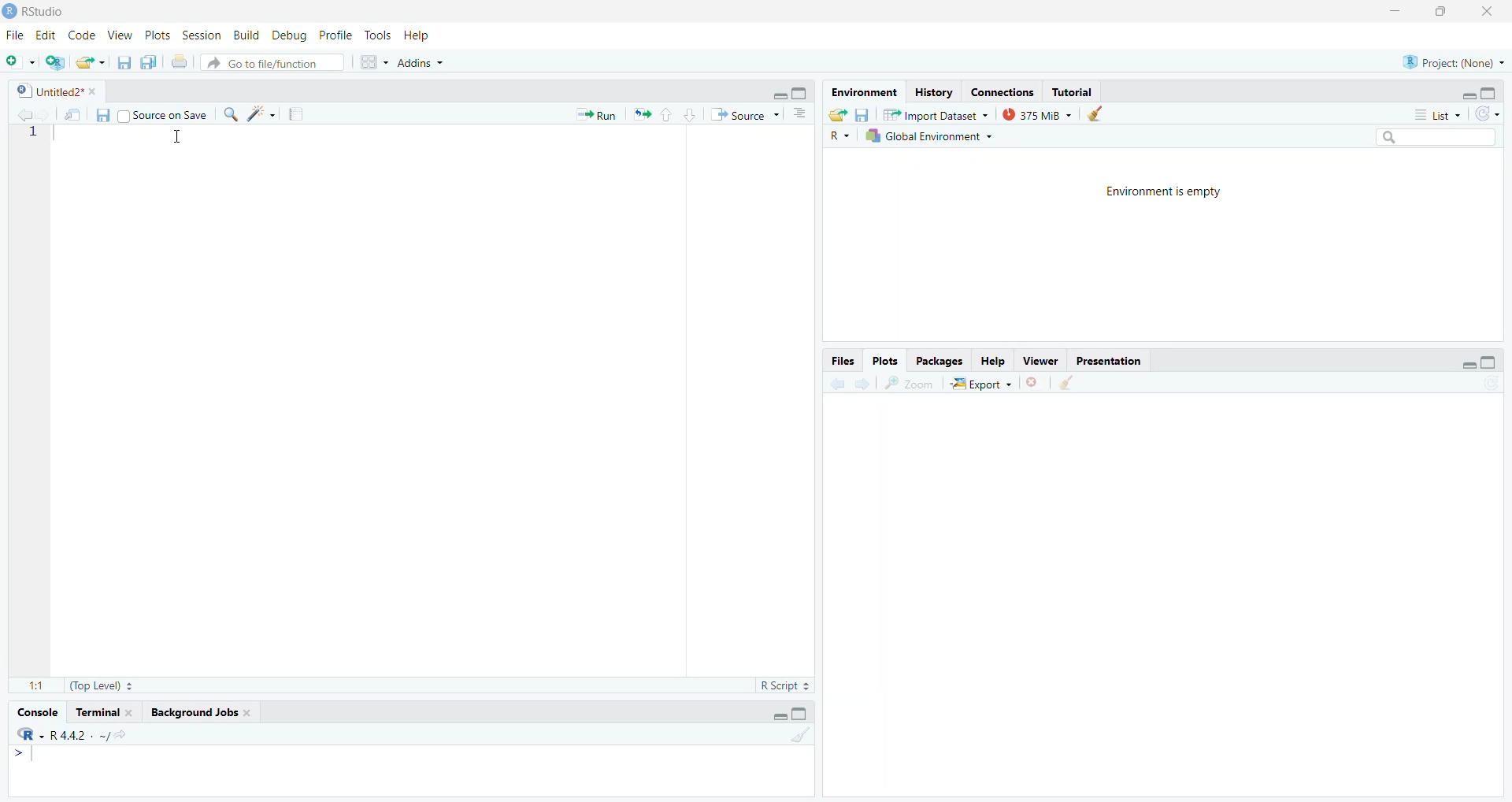 Image resolution: width=1512 pixels, height=802 pixels. What do you see at coordinates (1463, 364) in the screenshot?
I see `hide r script` at bounding box center [1463, 364].